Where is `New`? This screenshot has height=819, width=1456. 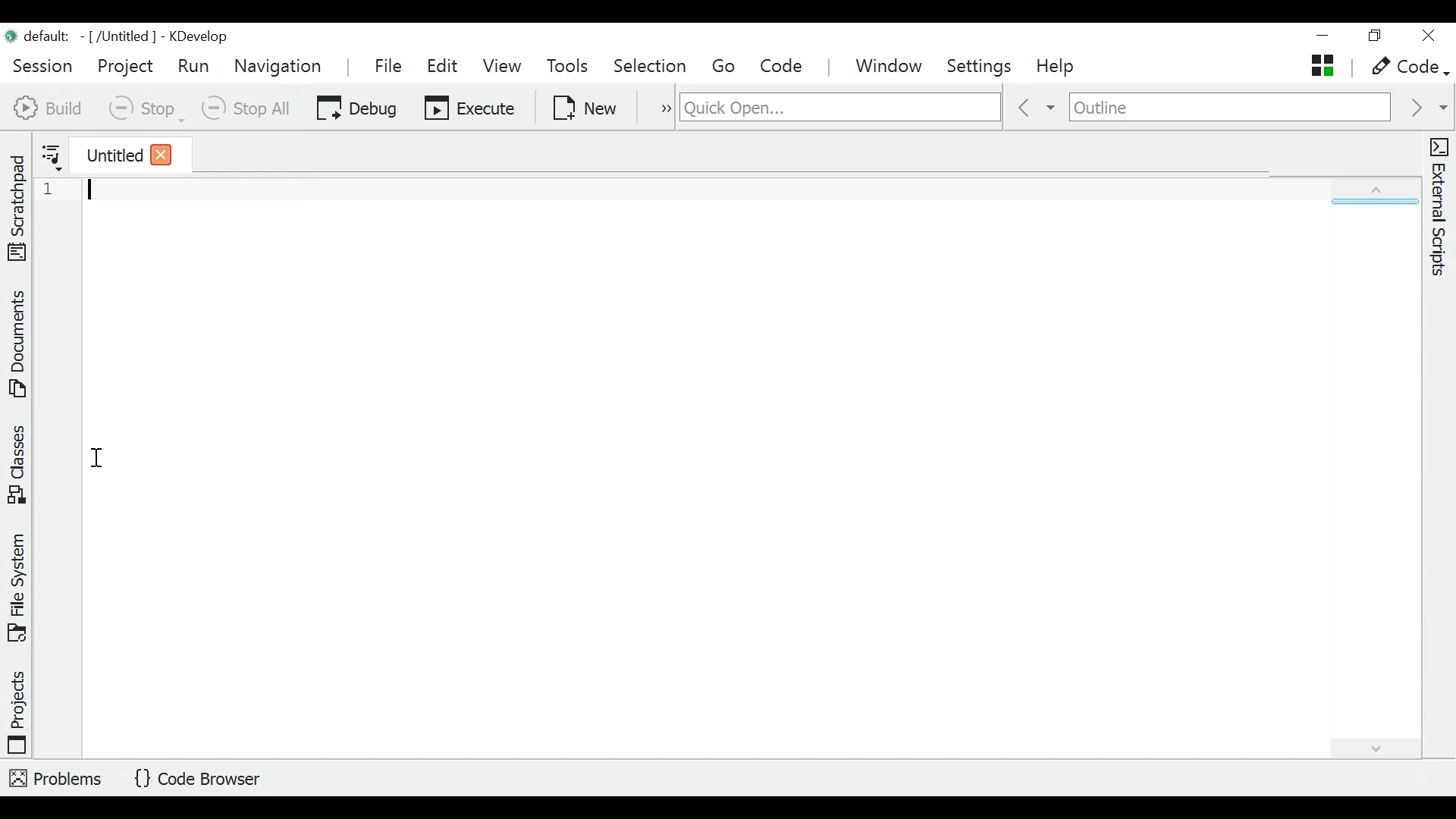 New is located at coordinates (585, 108).